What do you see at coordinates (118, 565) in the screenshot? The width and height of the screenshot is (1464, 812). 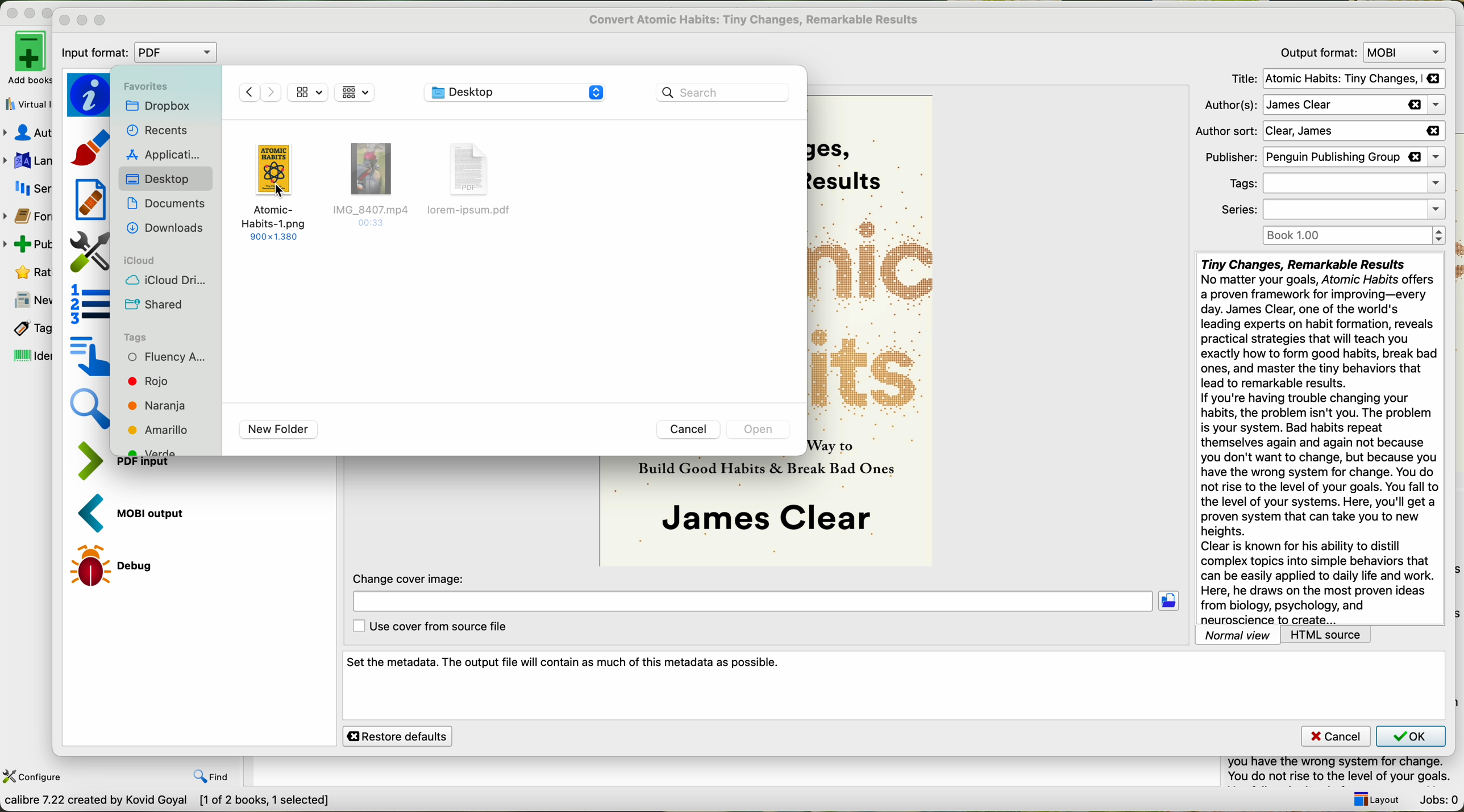 I see `debug` at bounding box center [118, 565].